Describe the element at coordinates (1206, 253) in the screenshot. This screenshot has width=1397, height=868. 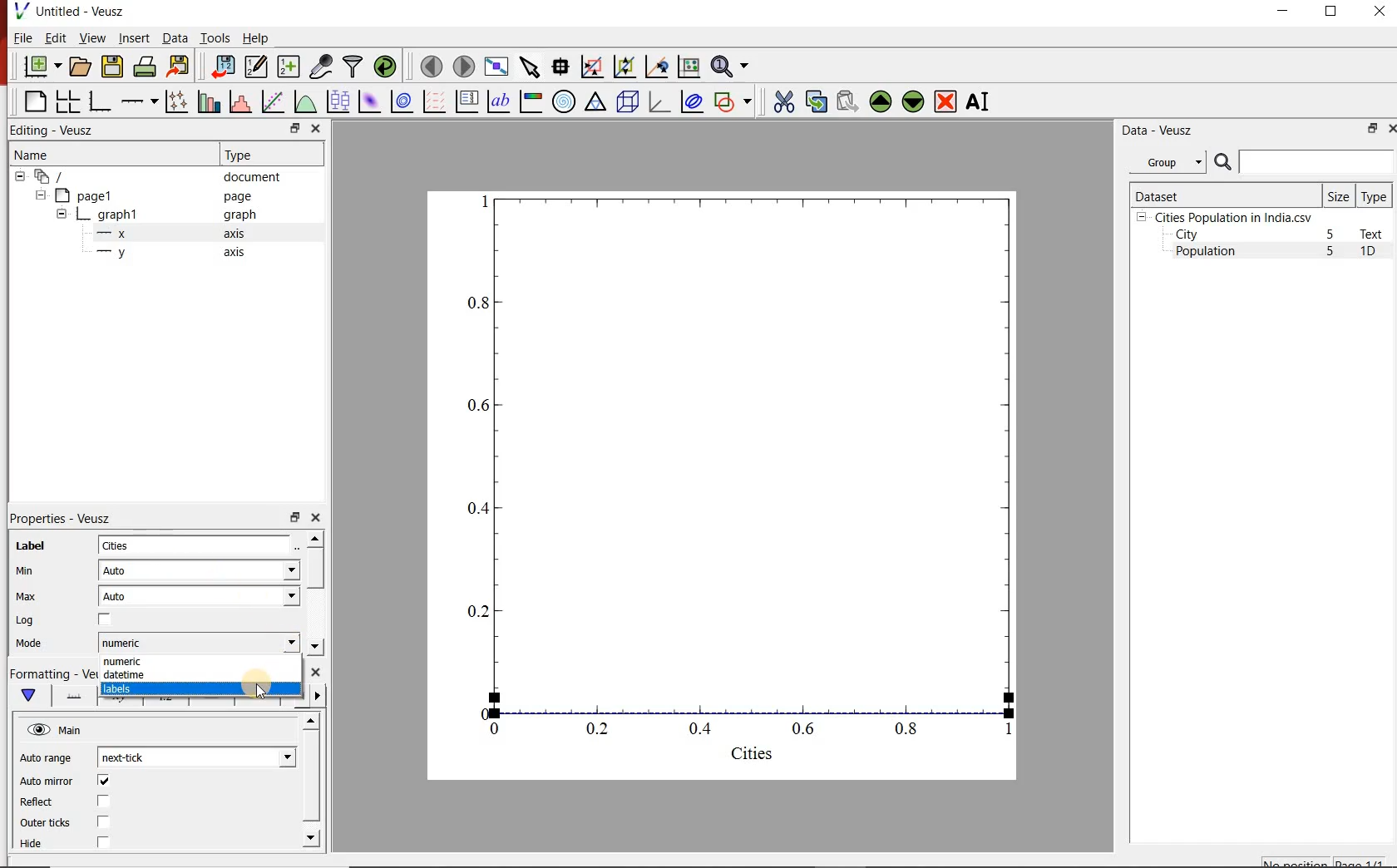
I see `Population` at that location.